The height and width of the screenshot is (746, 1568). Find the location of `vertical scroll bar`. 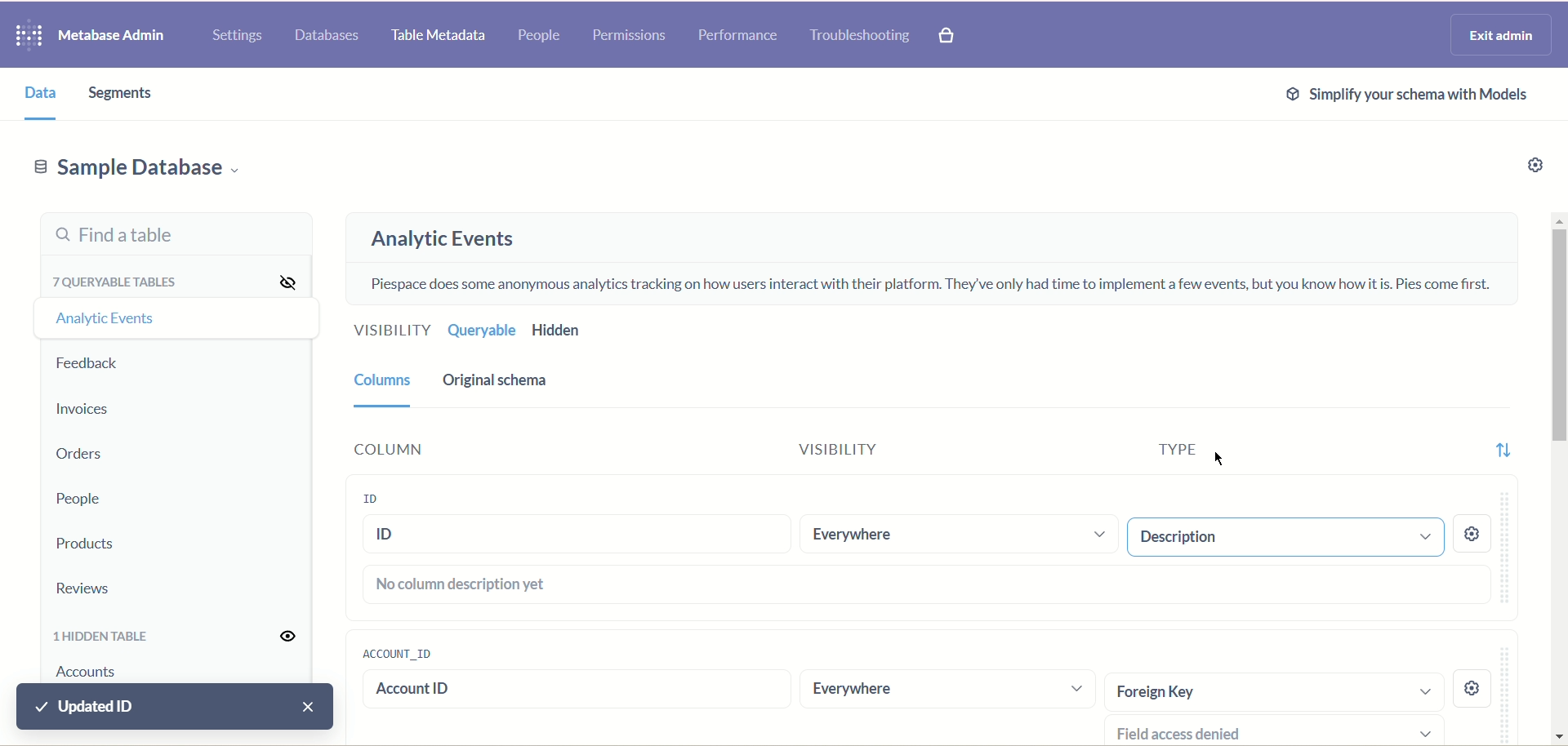

vertical scroll bar is located at coordinates (1557, 477).